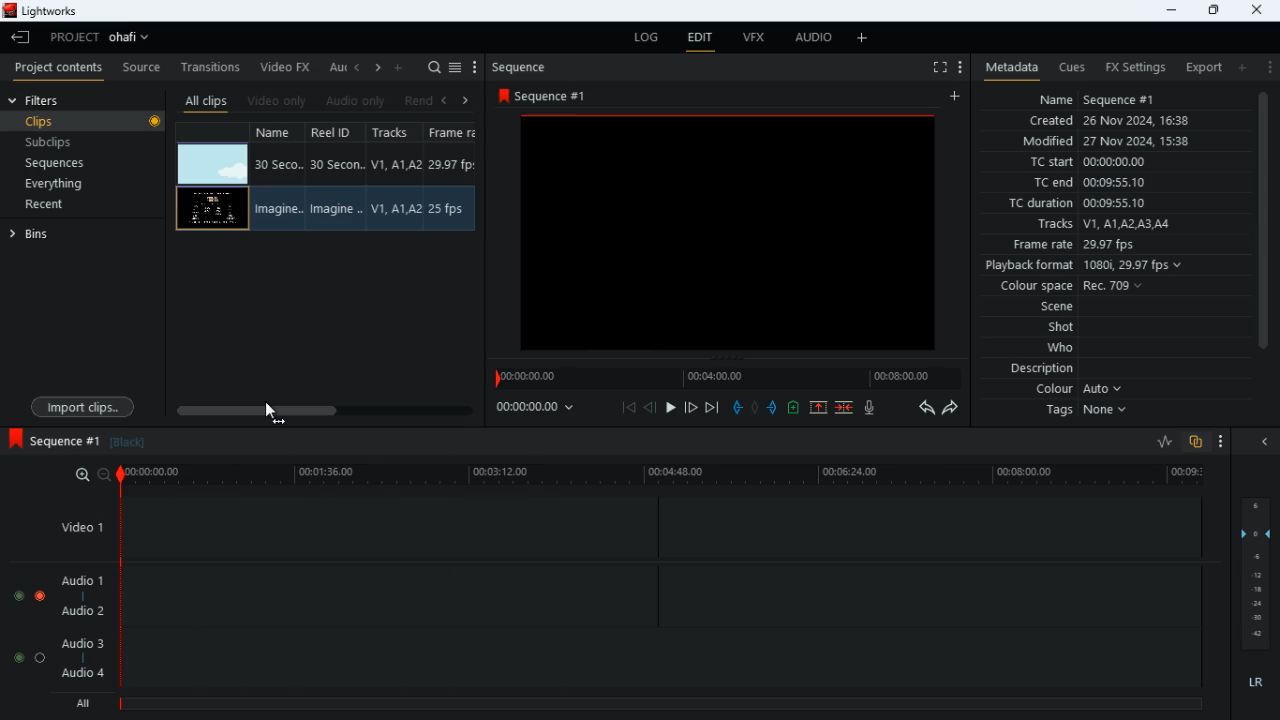 The image size is (1280, 720). I want to click on log, so click(639, 40).